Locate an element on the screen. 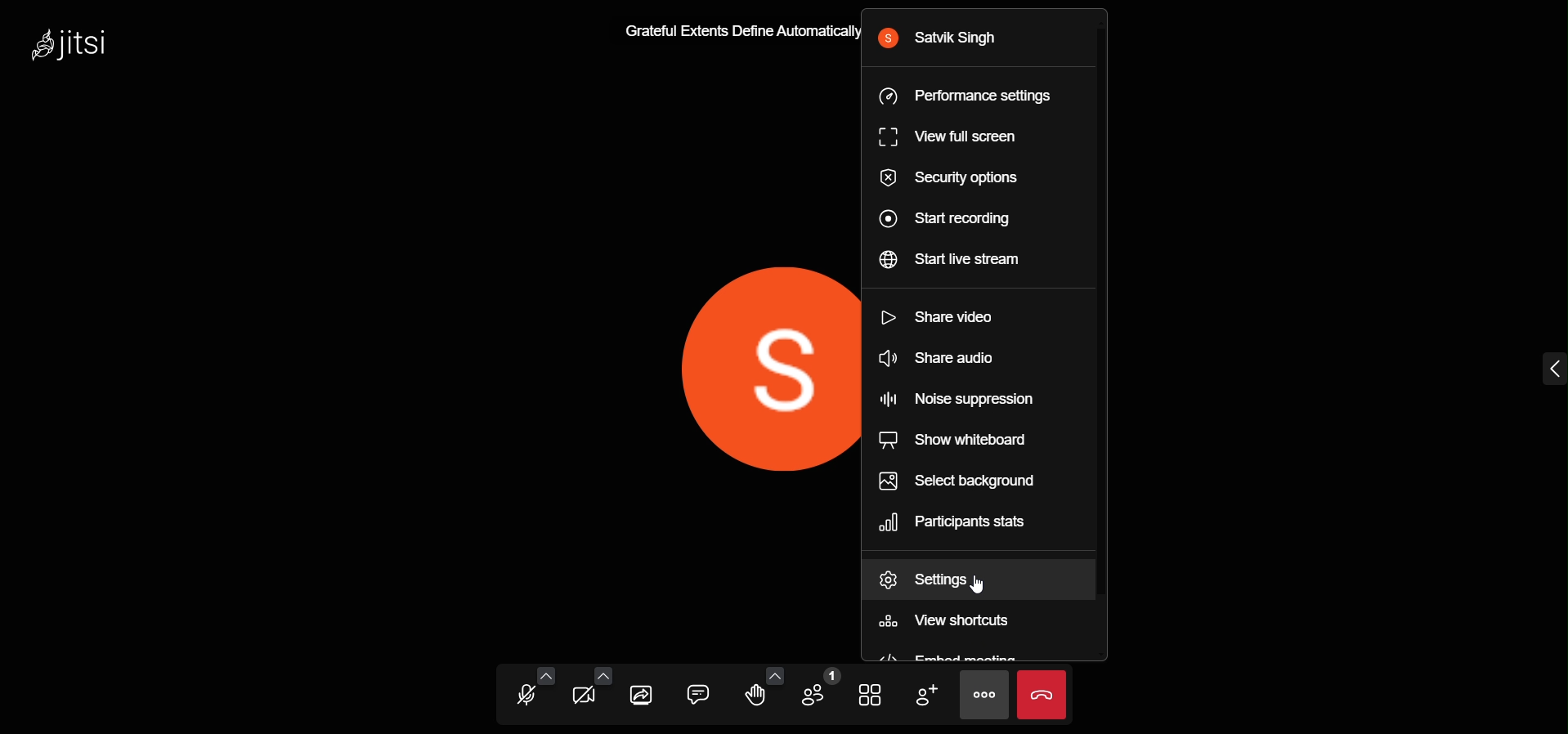 The width and height of the screenshot is (1568, 734). user name is located at coordinates (945, 42).